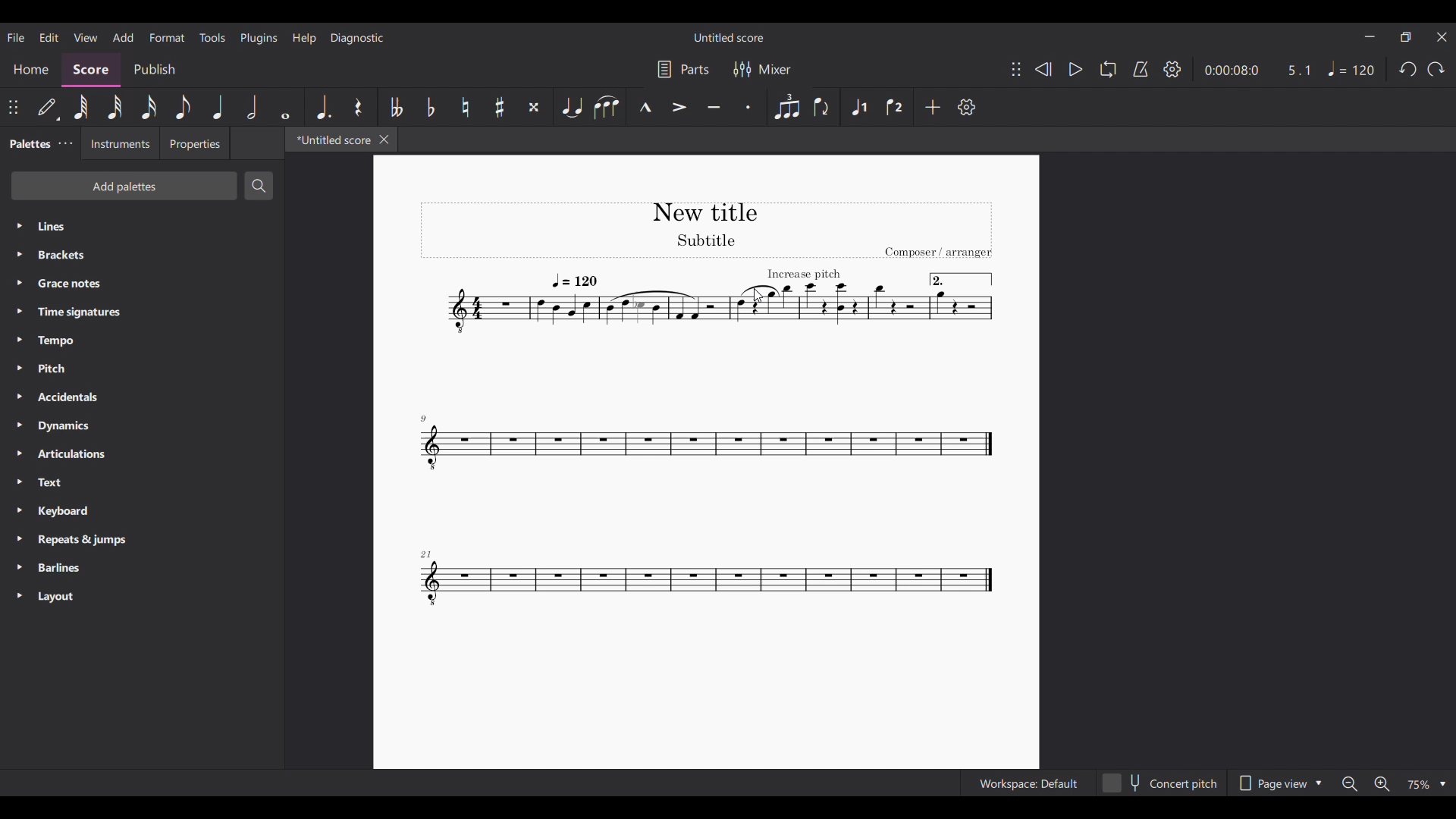 This screenshot has width=1456, height=819. Describe the element at coordinates (142, 567) in the screenshot. I see `Barlines` at that location.